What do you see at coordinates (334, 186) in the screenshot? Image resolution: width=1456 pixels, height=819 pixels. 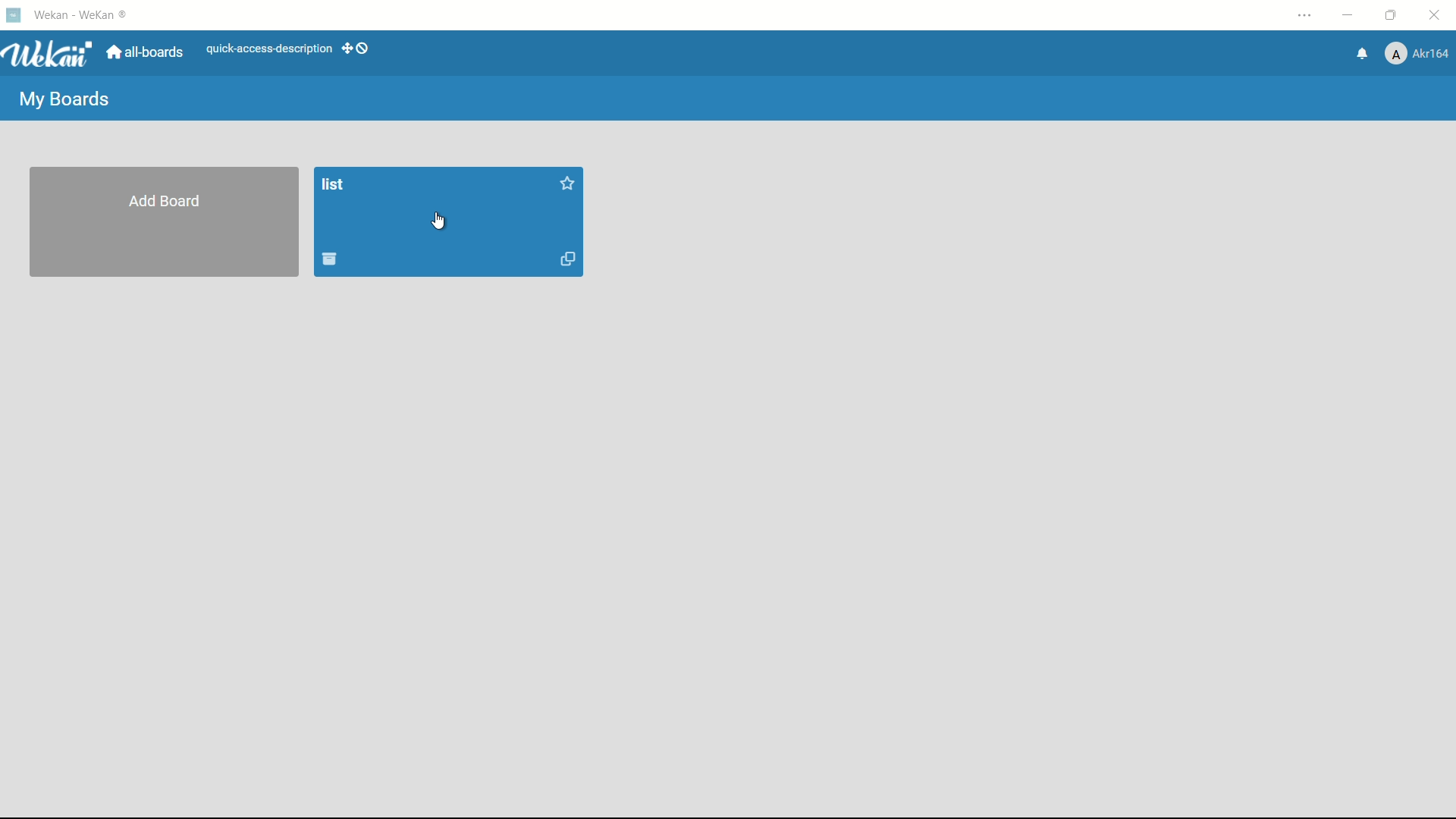 I see `board name` at bounding box center [334, 186].